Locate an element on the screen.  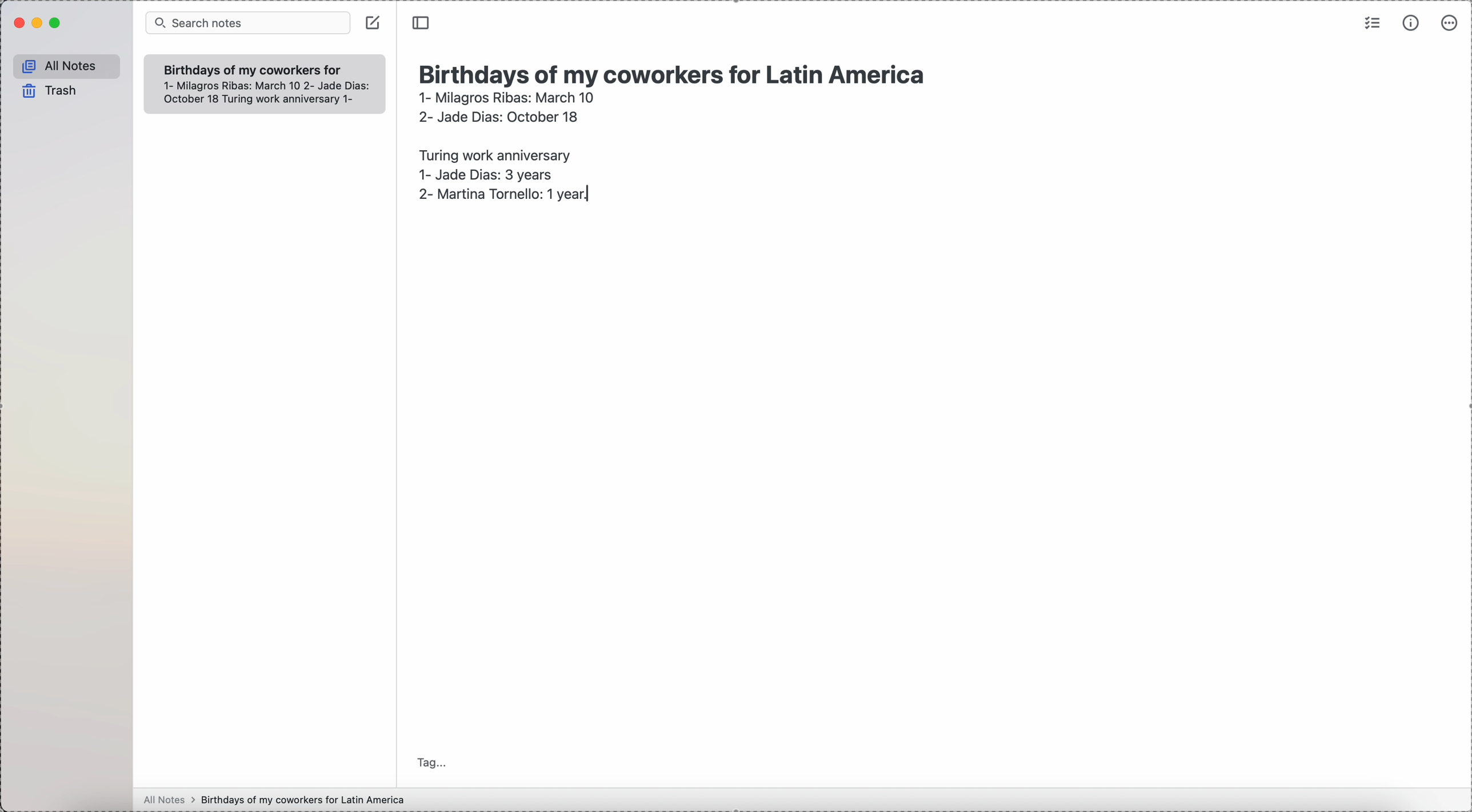
toggle side bar is located at coordinates (422, 23).